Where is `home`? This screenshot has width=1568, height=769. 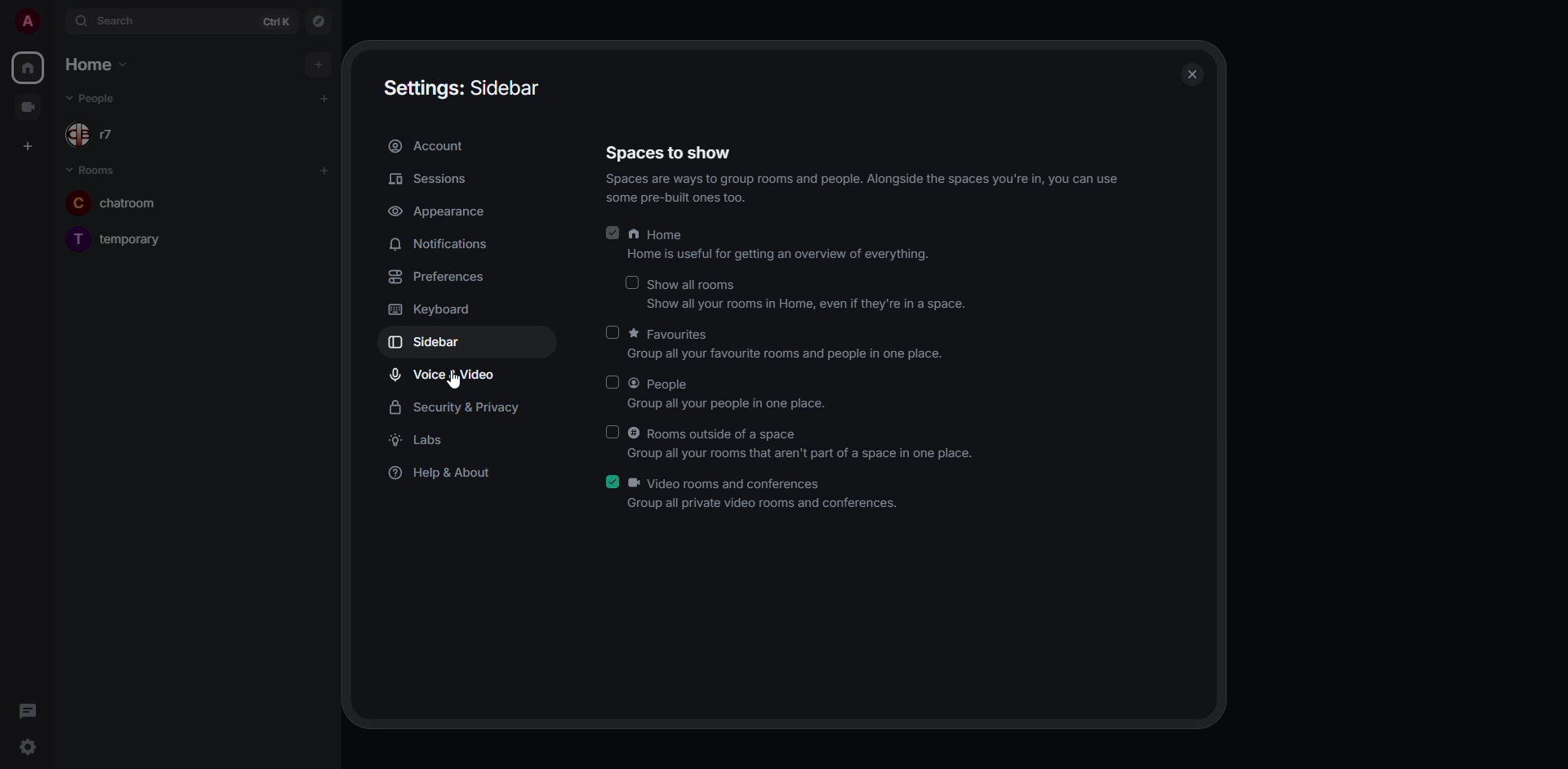 home is located at coordinates (91, 64).